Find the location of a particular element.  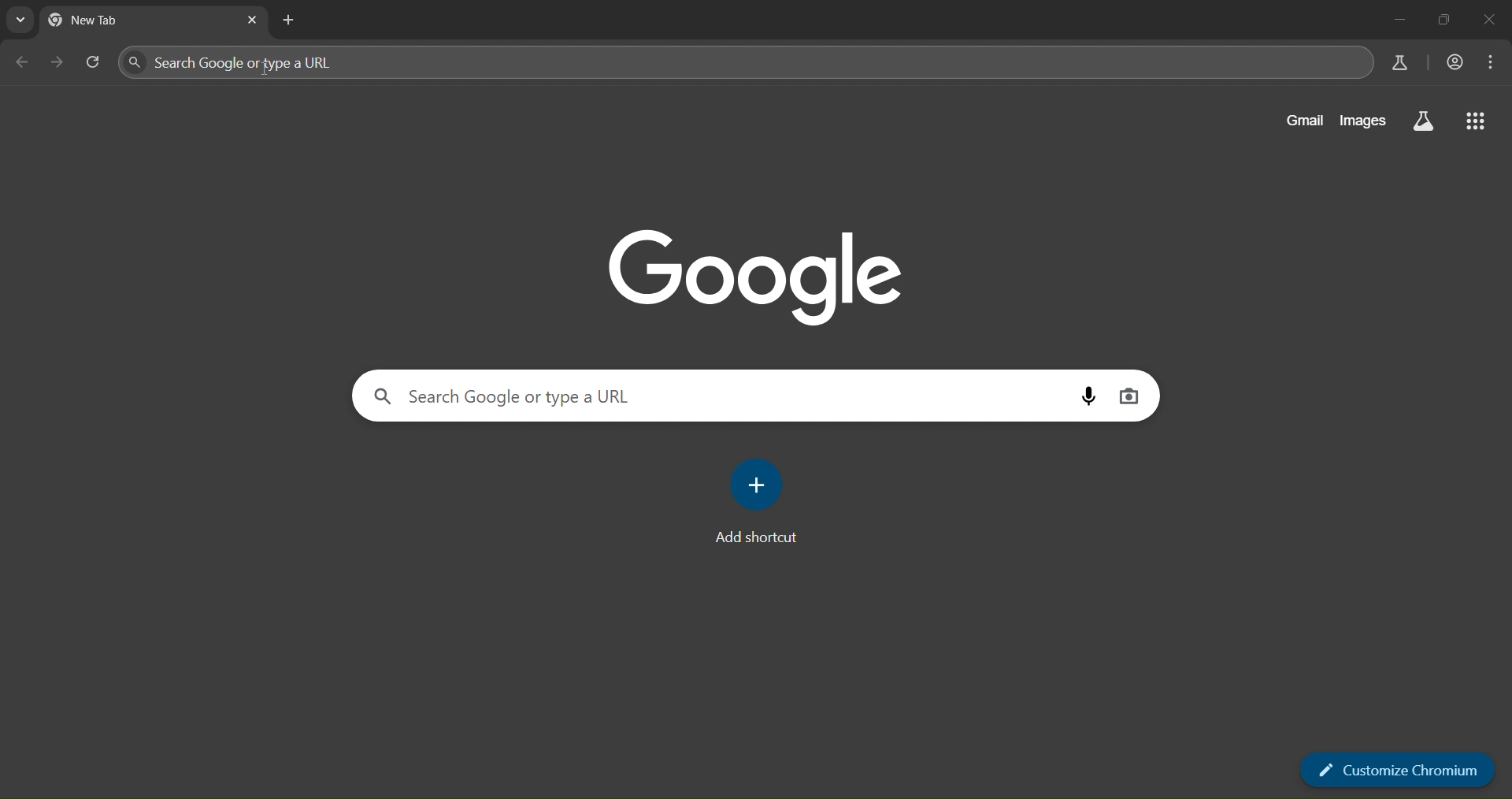

google apps is located at coordinates (1478, 122).